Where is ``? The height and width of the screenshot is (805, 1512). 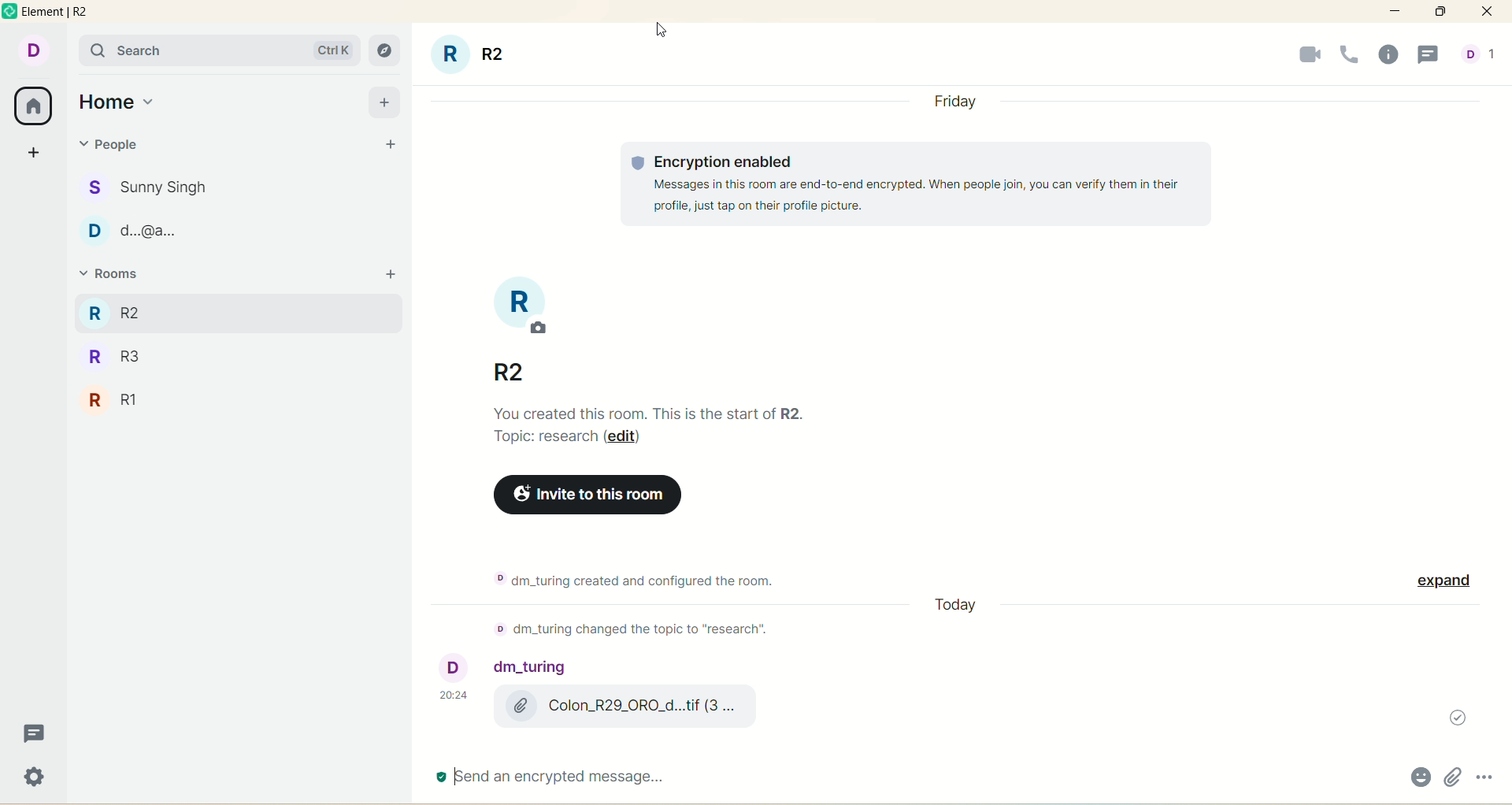
 is located at coordinates (622, 578).